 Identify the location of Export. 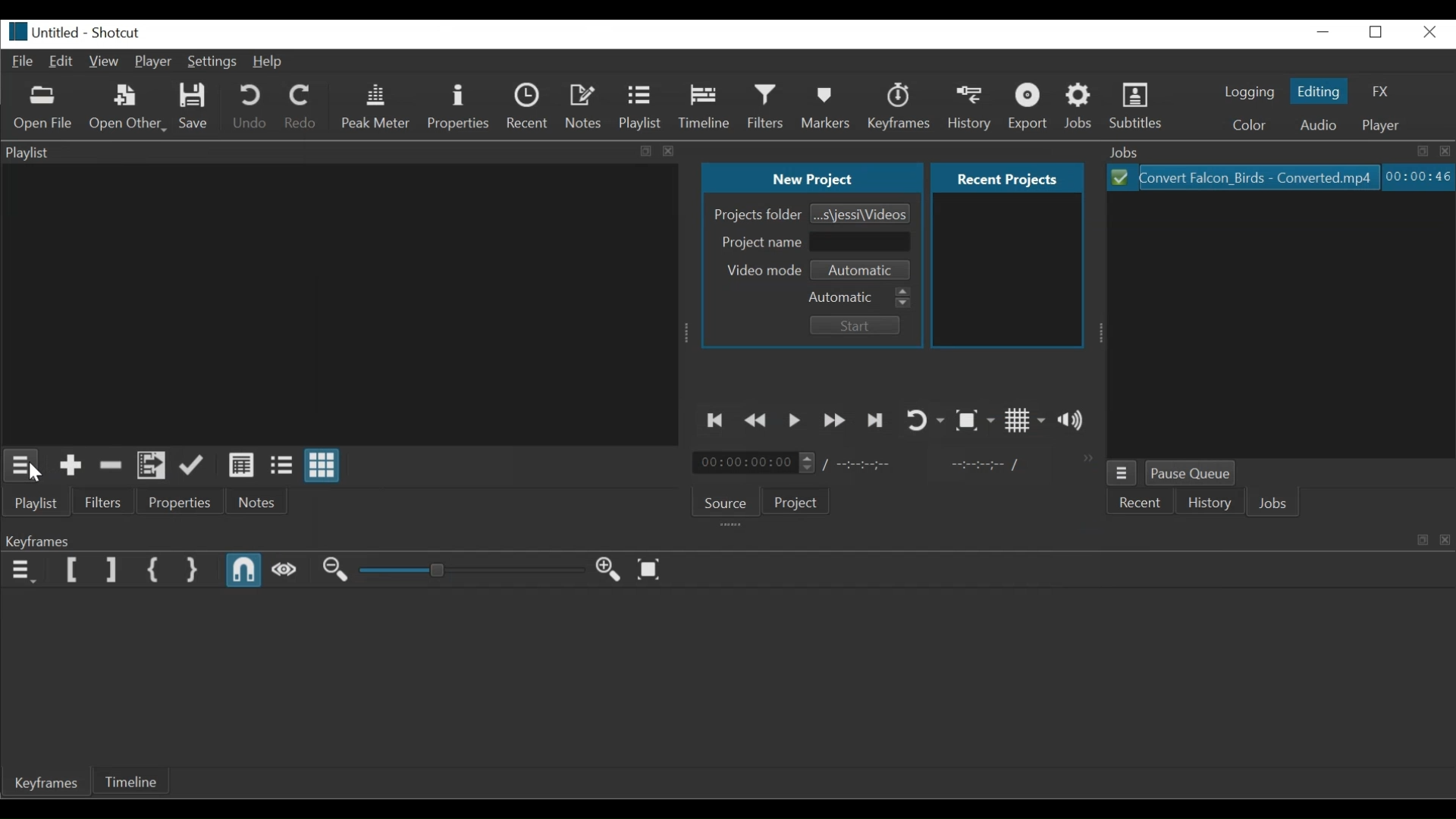
(1031, 108).